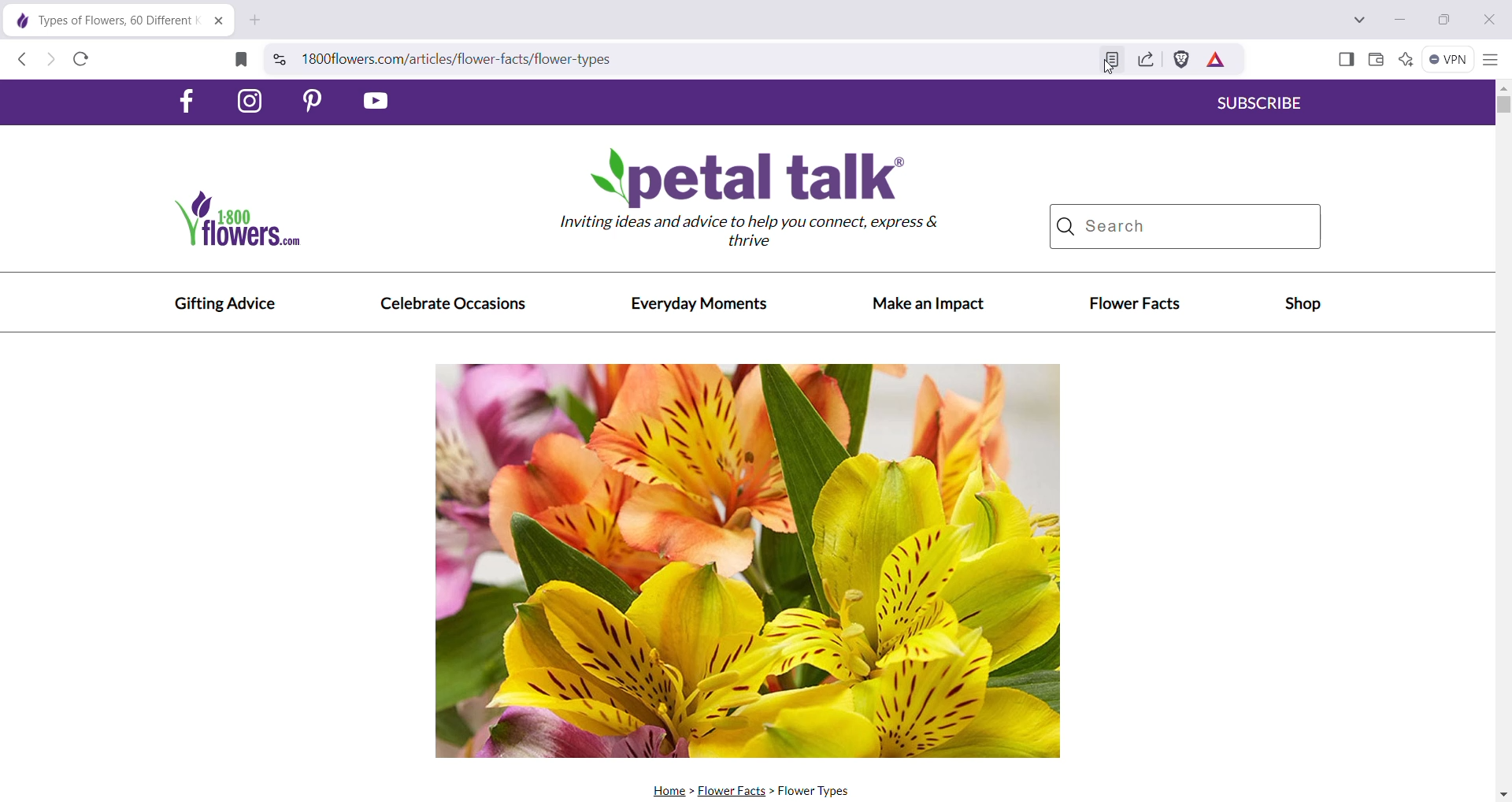 Image resolution: width=1512 pixels, height=802 pixels. Describe the element at coordinates (1144, 60) in the screenshot. I see `Share this page` at that location.